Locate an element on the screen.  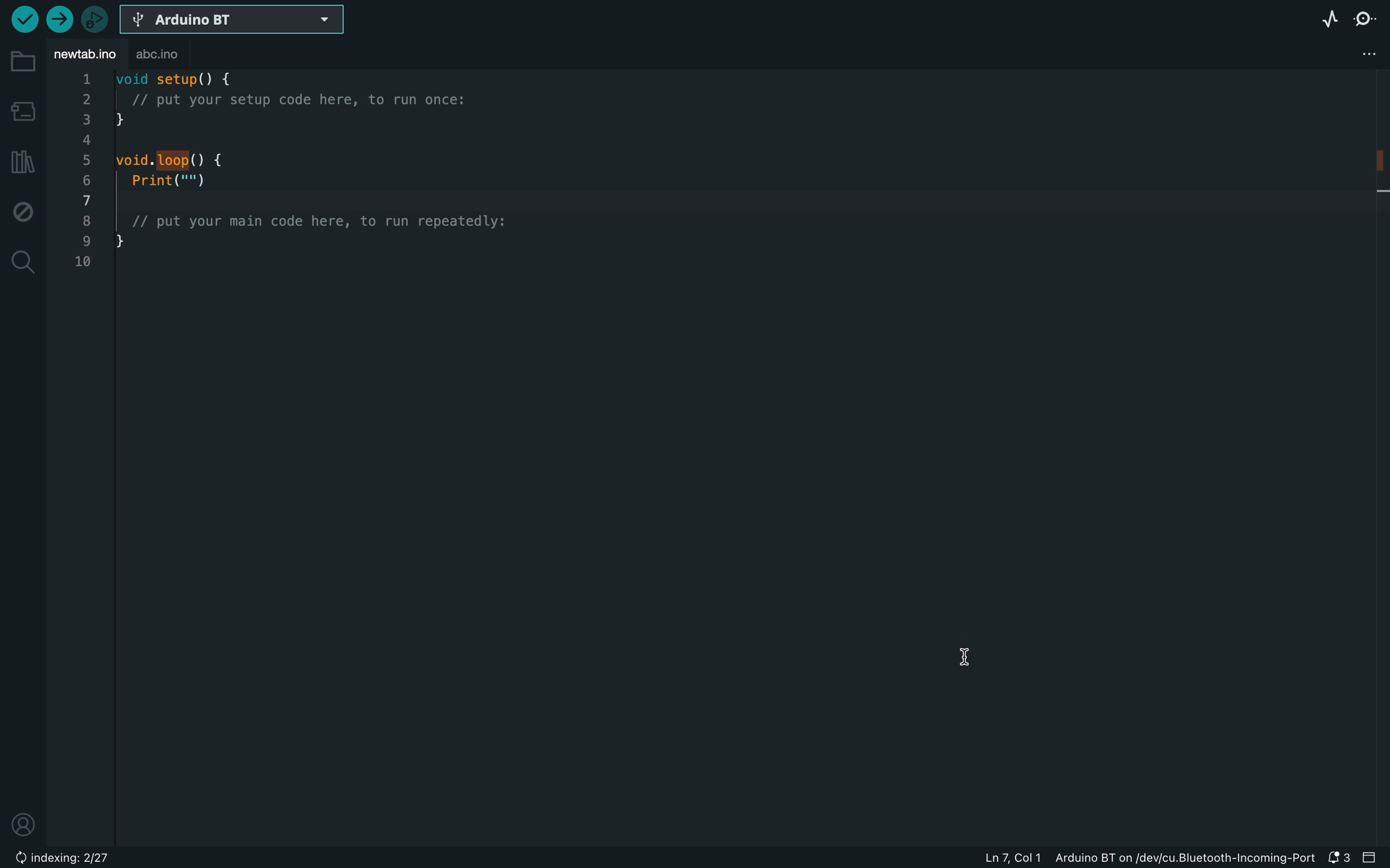
close slide bar is located at coordinates (1375, 858).